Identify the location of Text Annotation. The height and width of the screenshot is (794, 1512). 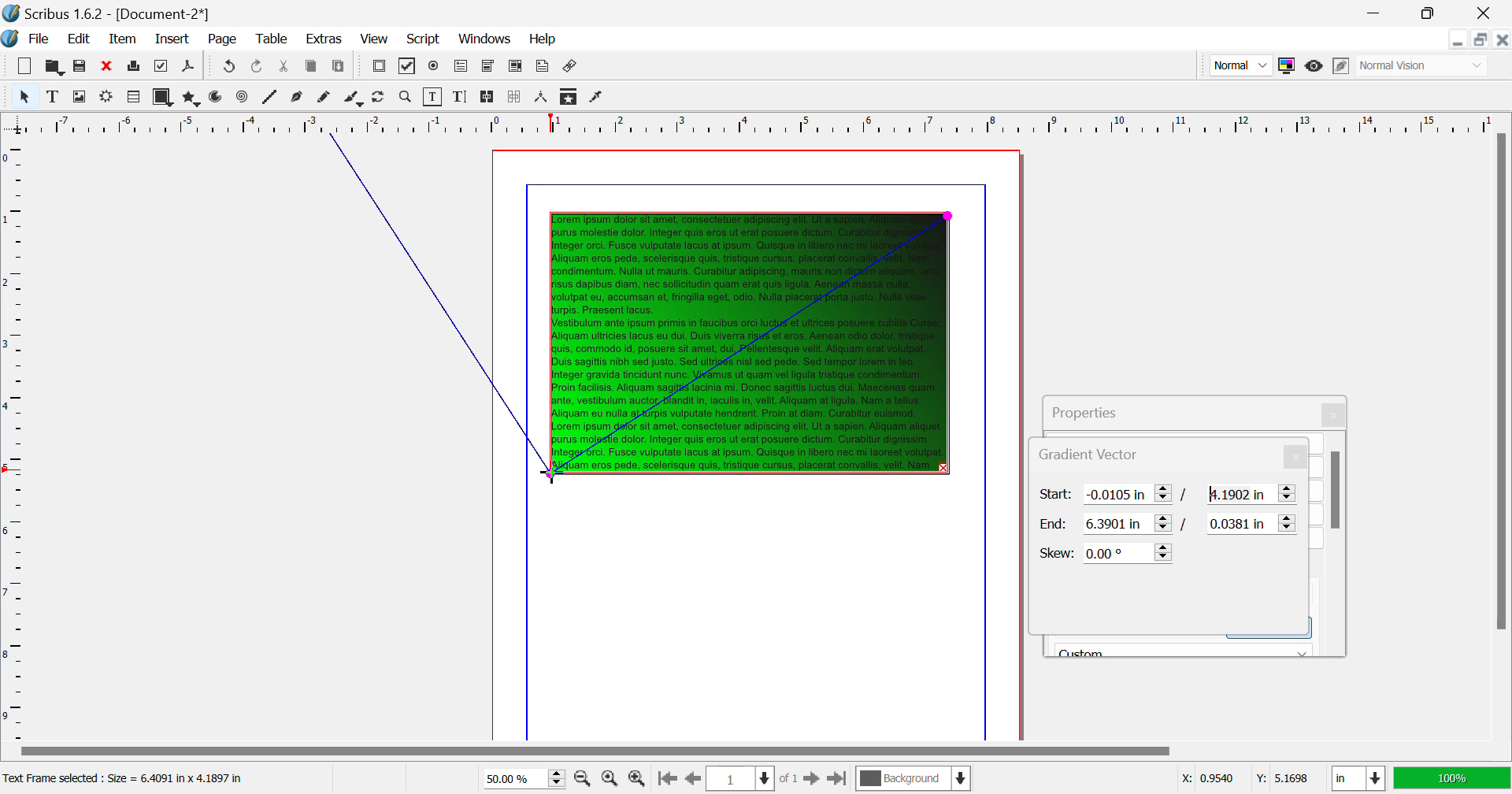
(542, 68).